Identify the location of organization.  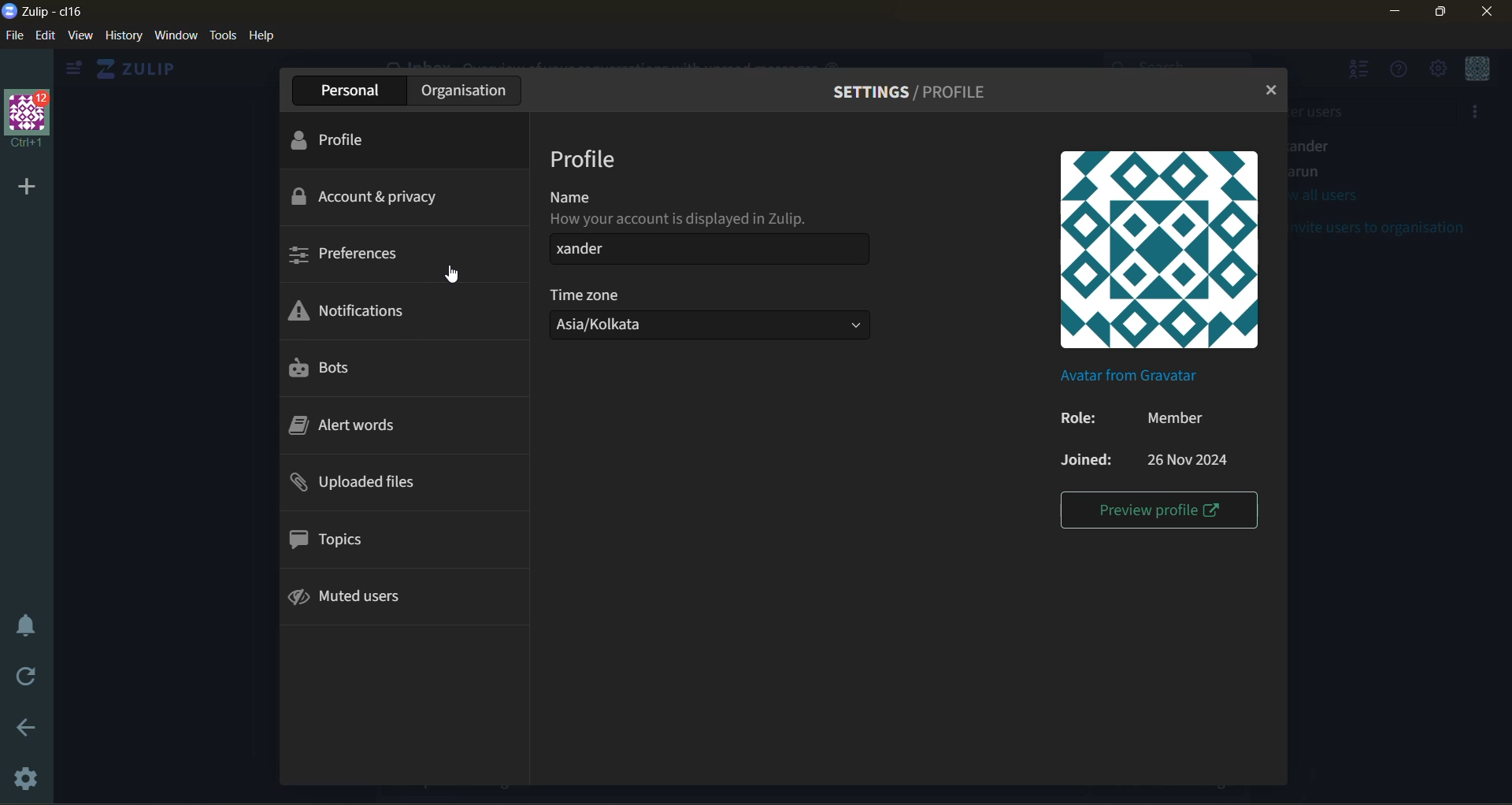
(468, 89).